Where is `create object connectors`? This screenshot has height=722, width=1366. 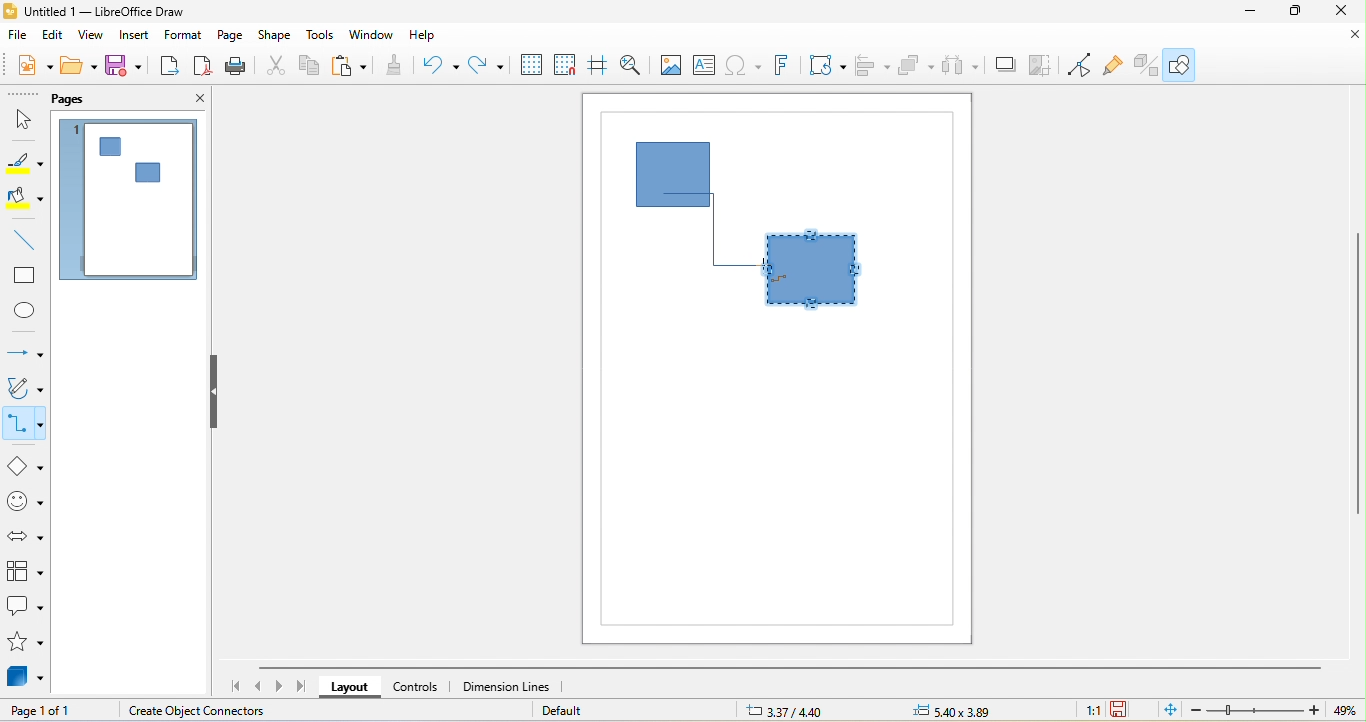
create object connectors is located at coordinates (231, 711).